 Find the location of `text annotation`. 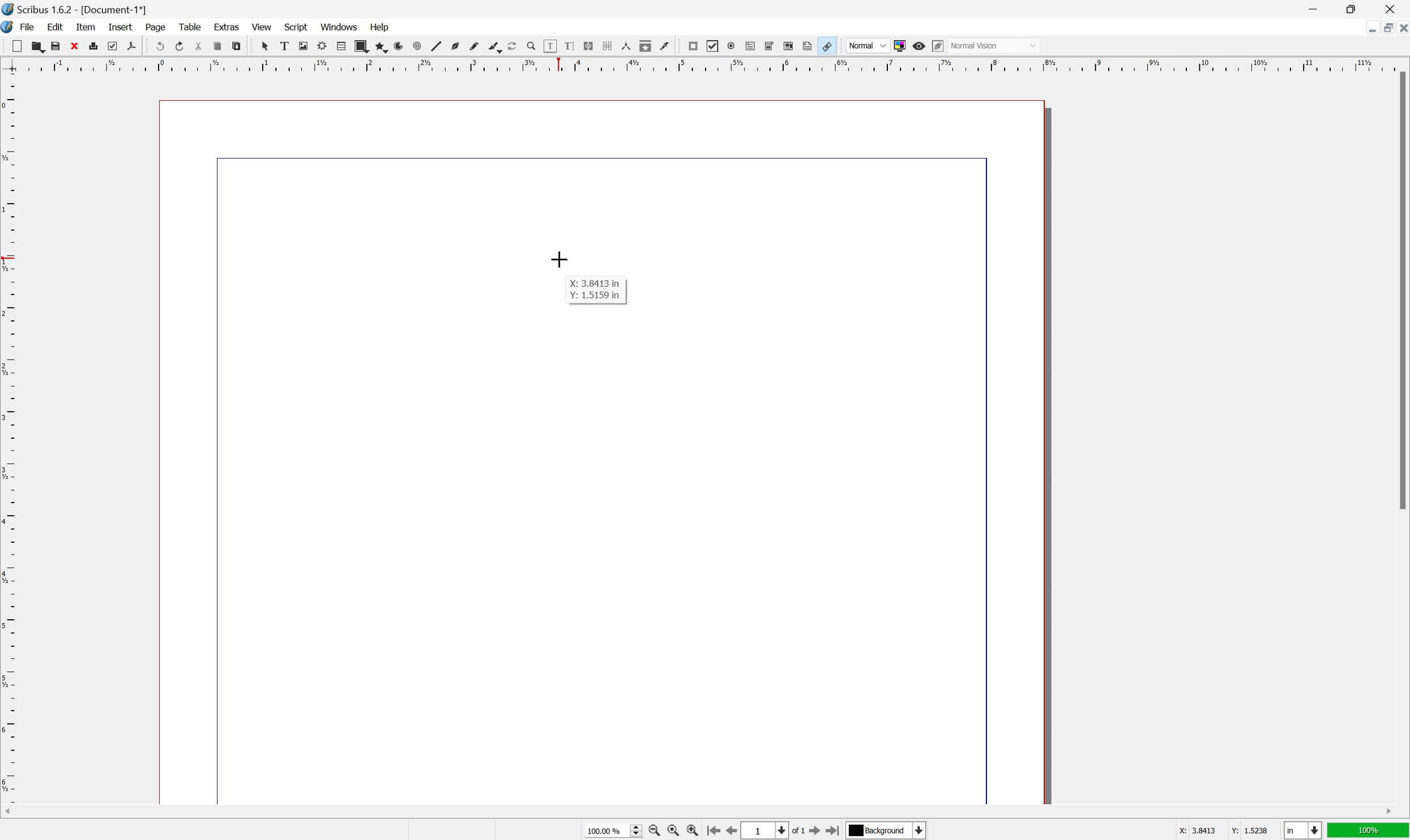

text annotation is located at coordinates (808, 45).